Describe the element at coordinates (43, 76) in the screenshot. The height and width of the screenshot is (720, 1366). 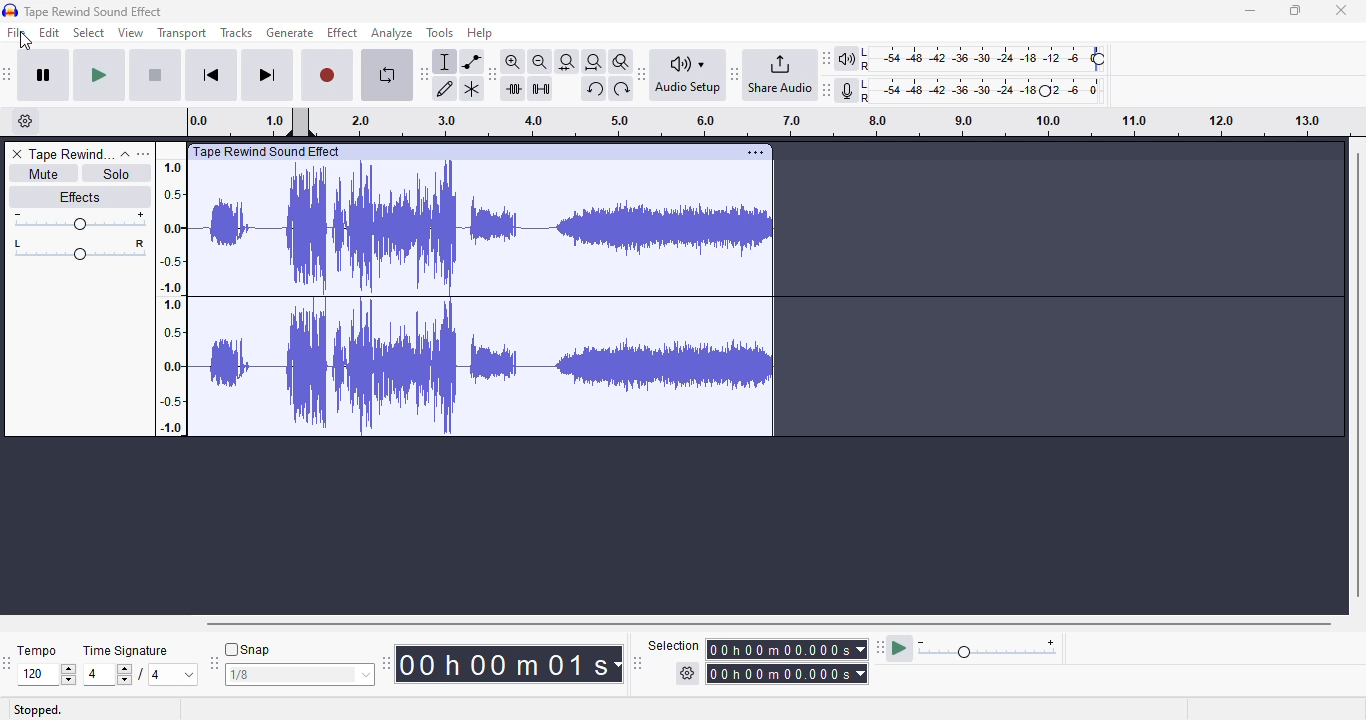
I see `pause` at that location.